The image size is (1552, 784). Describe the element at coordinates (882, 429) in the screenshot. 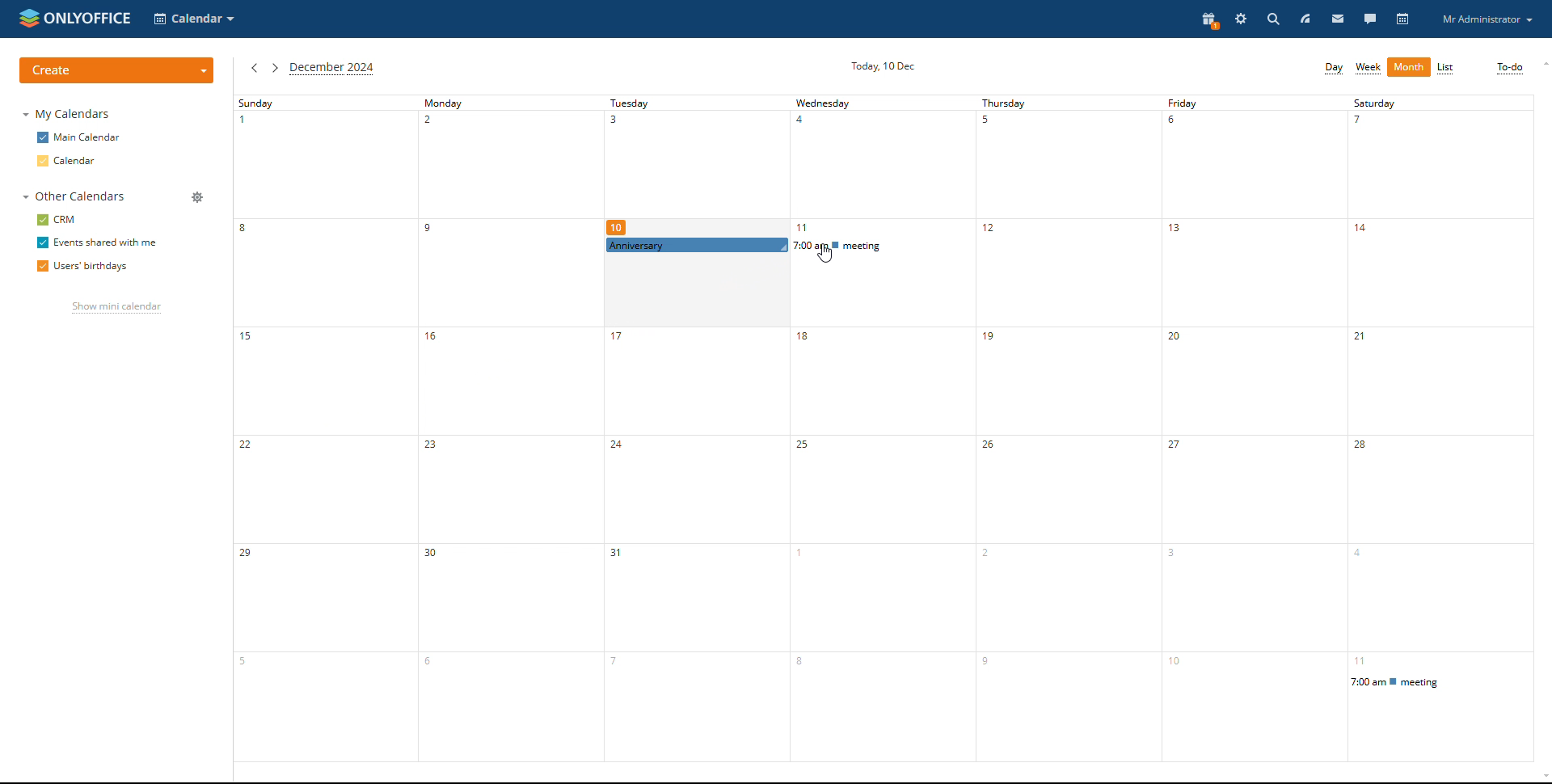

I see `wednesday` at that location.